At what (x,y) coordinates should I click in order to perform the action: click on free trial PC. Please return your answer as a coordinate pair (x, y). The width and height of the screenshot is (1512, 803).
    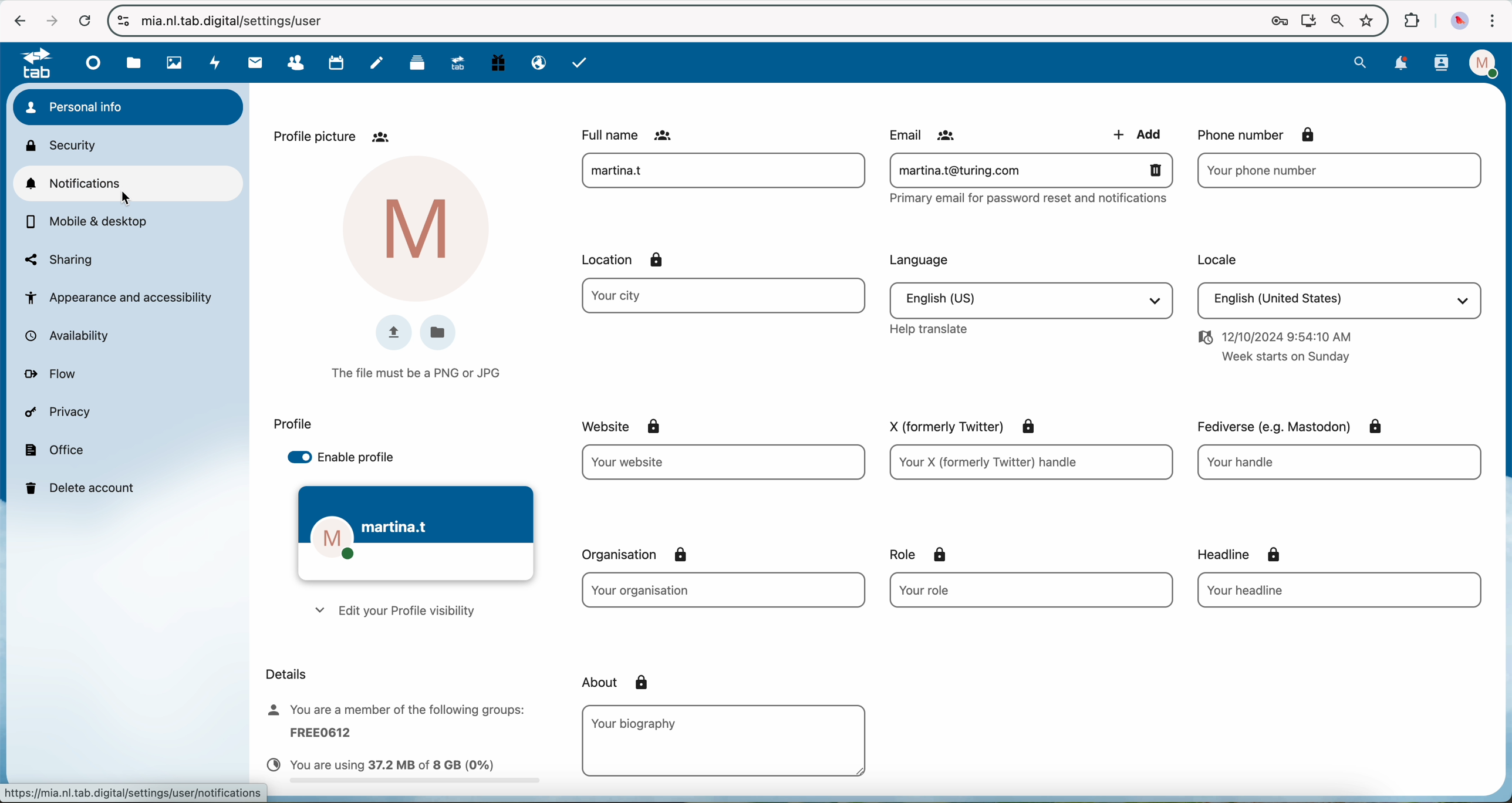
    Looking at the image, I should click on (500, 65).